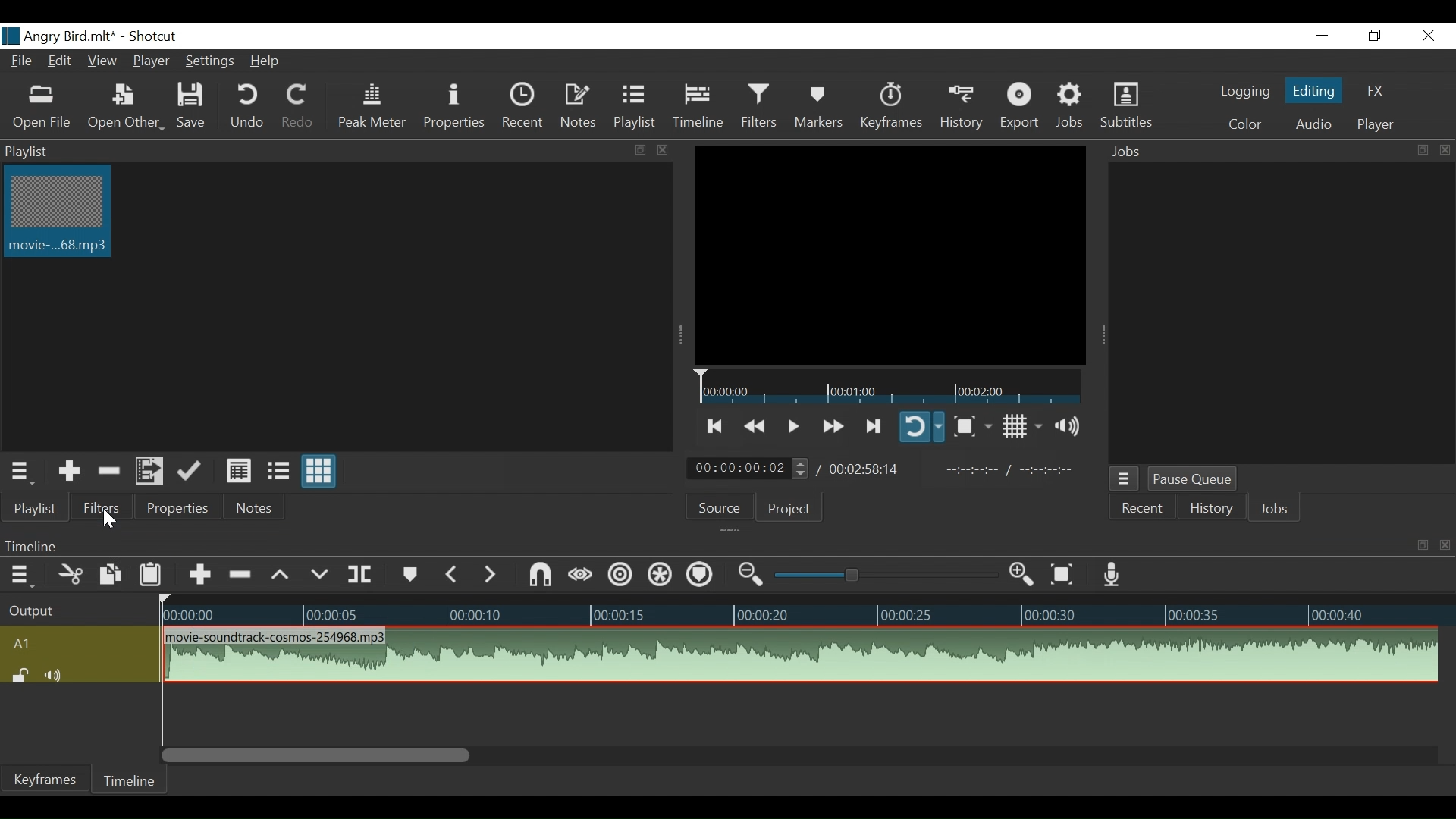 Image resolution: width=1456 pixels, height=819 pixels. What do you see at coordinates (792, 423) in the screenshot?
I see `Toggle play or pause (space)` at bounding box center [792, 423].